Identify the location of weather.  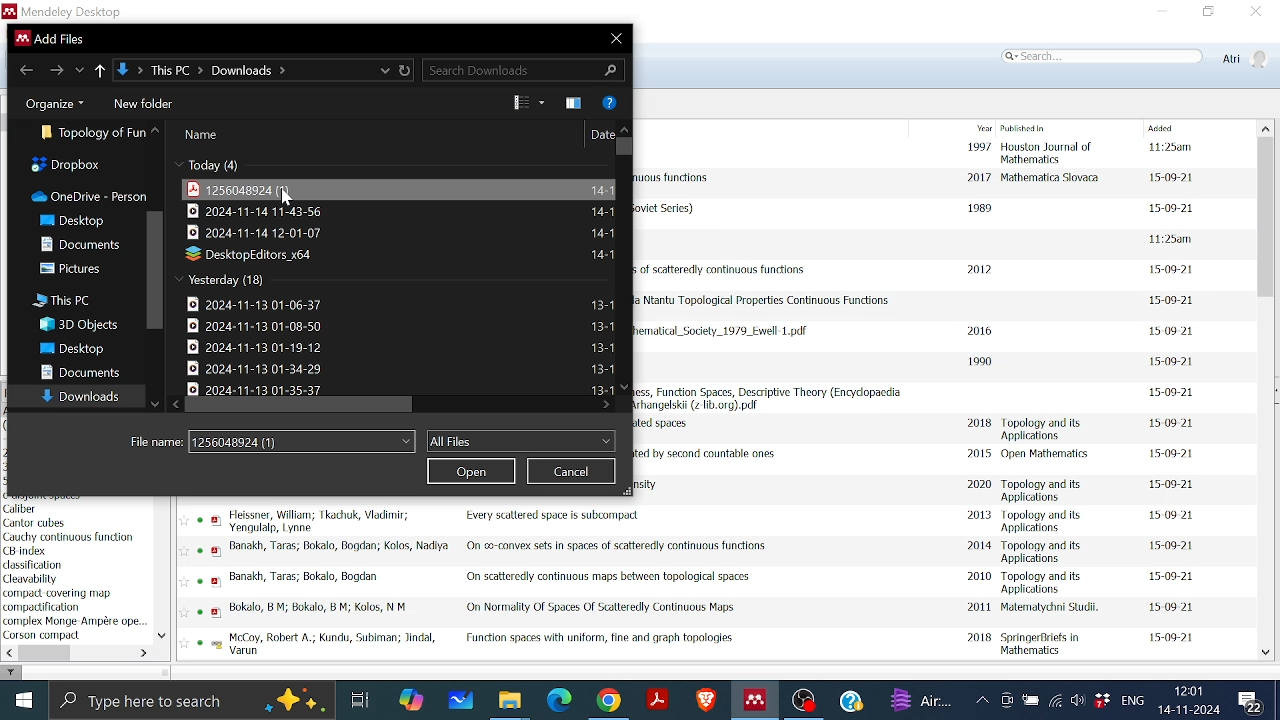
(925, 701).